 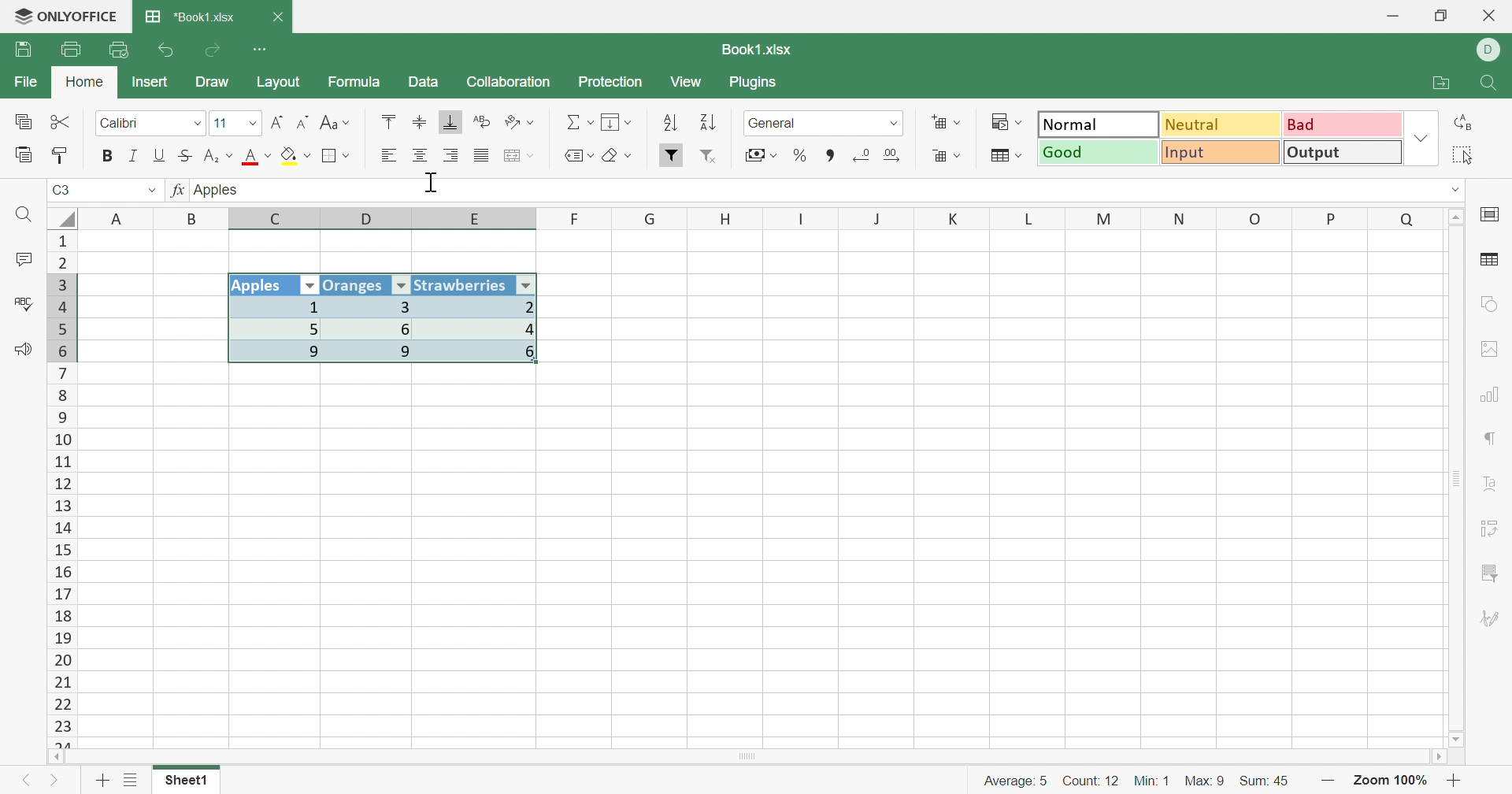 I want to click on Increase decimals, so click(x=899, y=155).